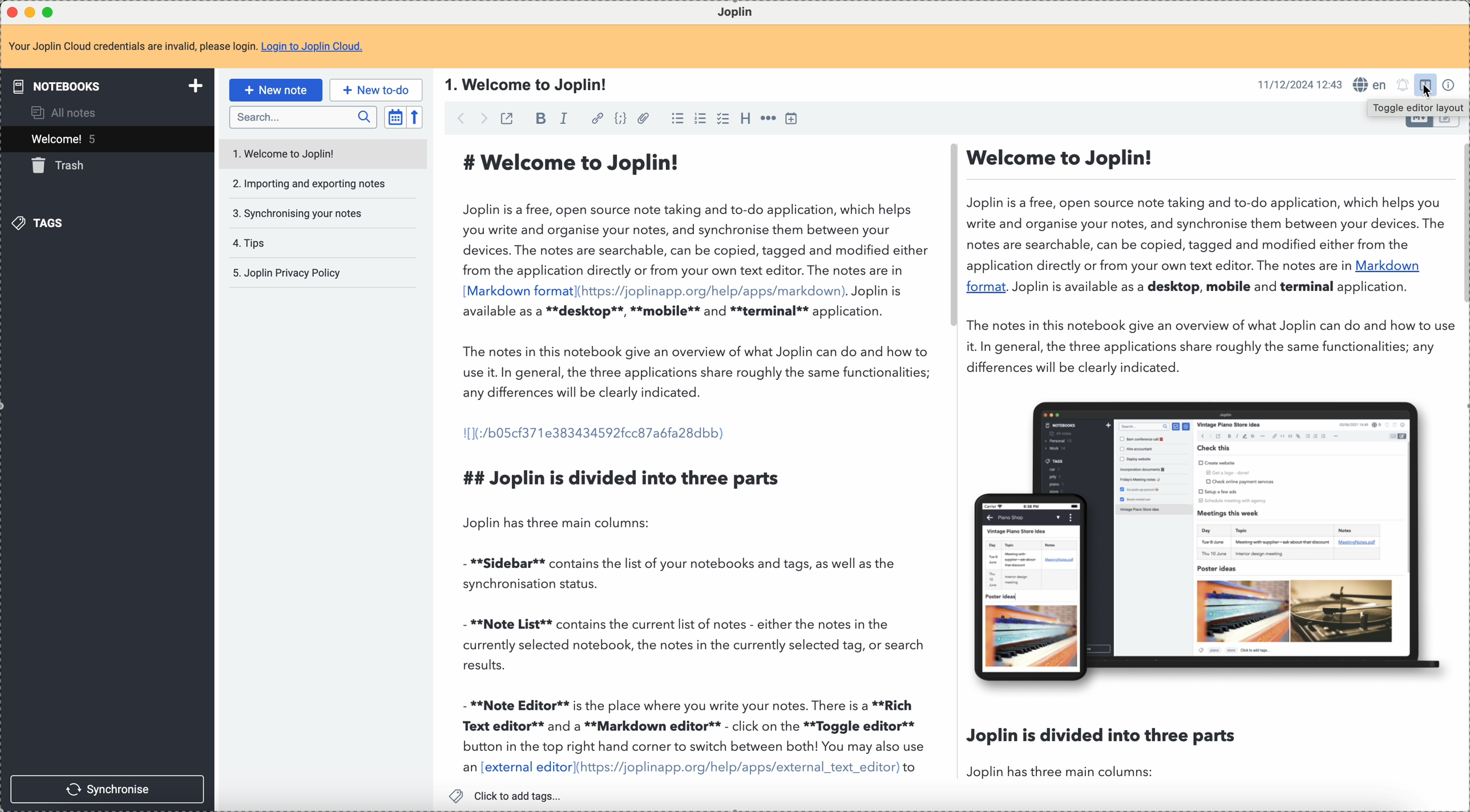 The height and width of the screenshot is (812, 1470). I want to click on 11/12/2024 12:43, so click(1299, 84).